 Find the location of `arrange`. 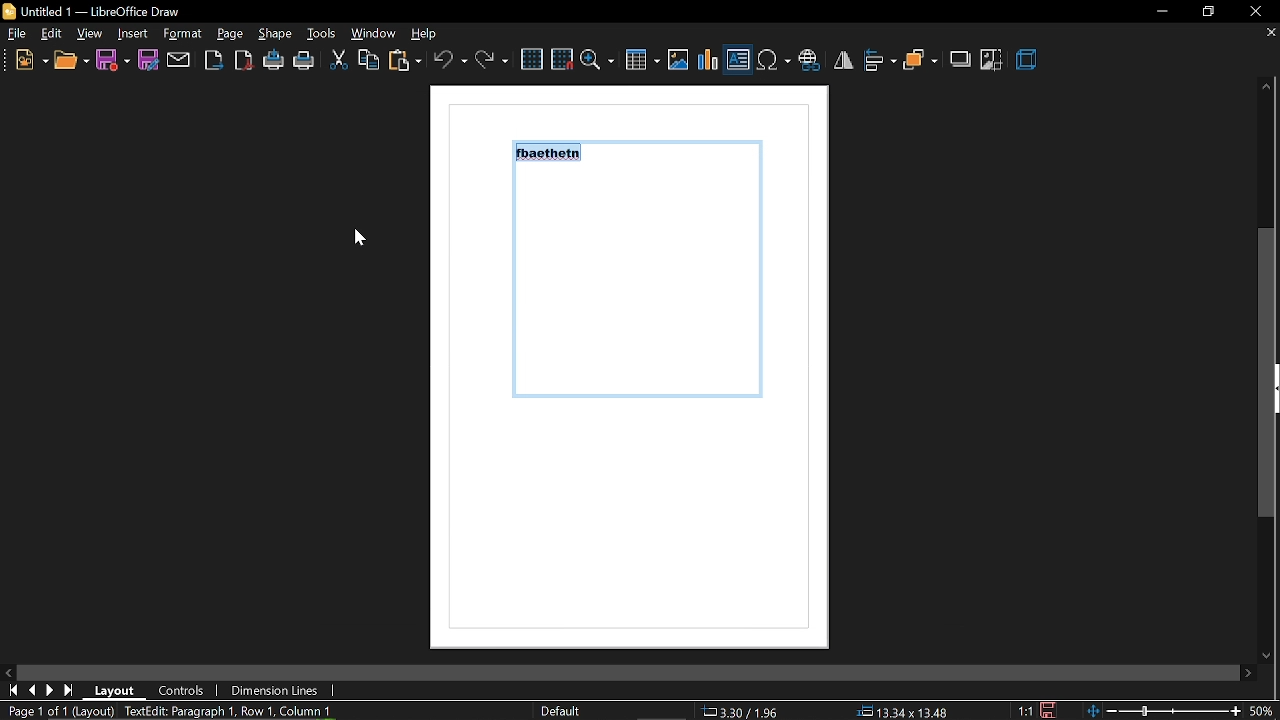

arrange is located at coordinates (921, 62).